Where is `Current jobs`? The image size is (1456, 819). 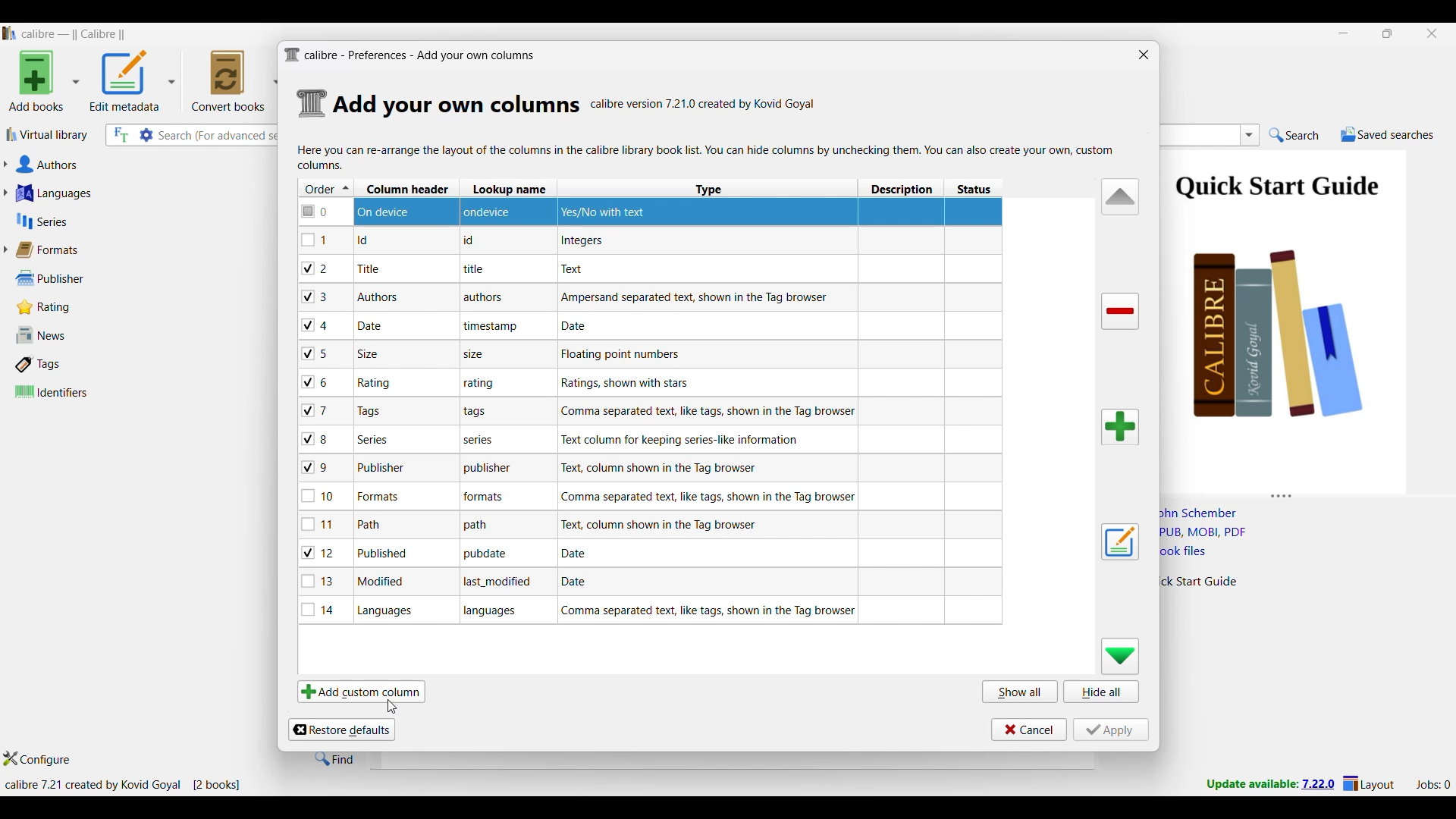 Current jobs is located at coordinates (1432, 785).